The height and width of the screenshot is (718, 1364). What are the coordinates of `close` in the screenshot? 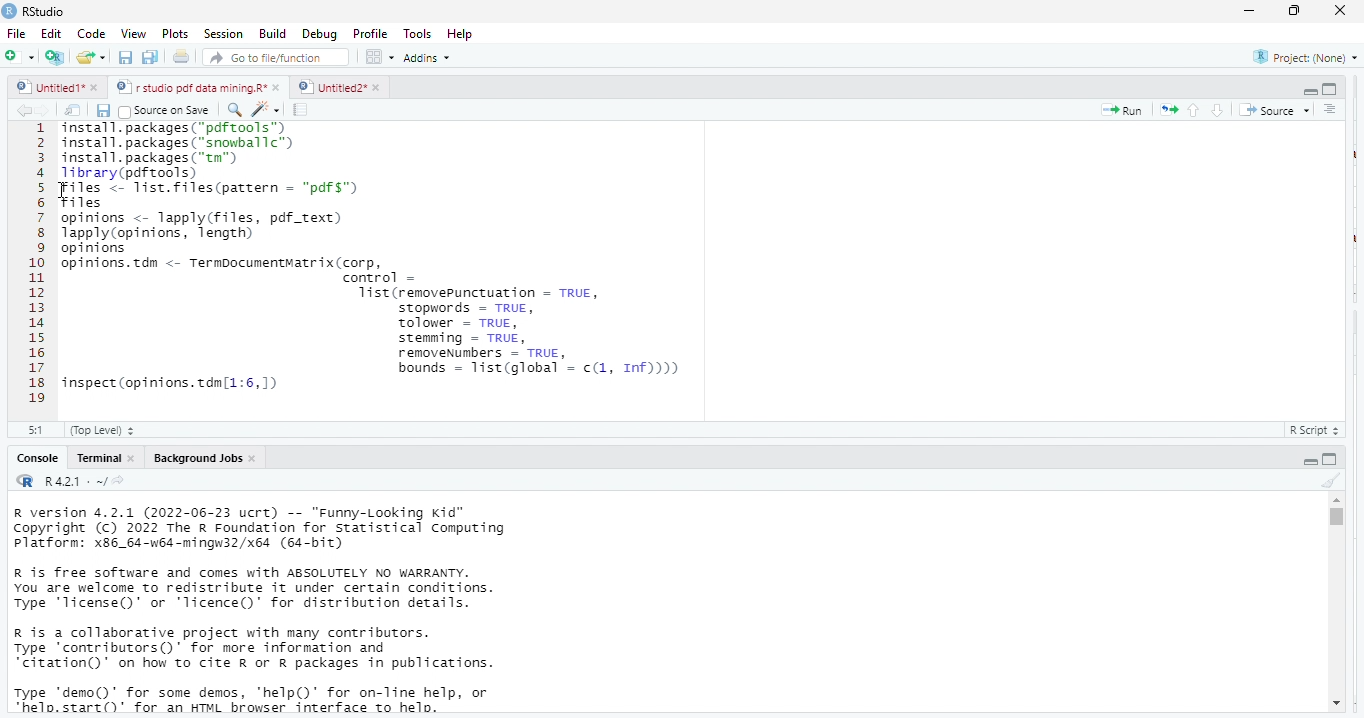 It's located at (132, 458).